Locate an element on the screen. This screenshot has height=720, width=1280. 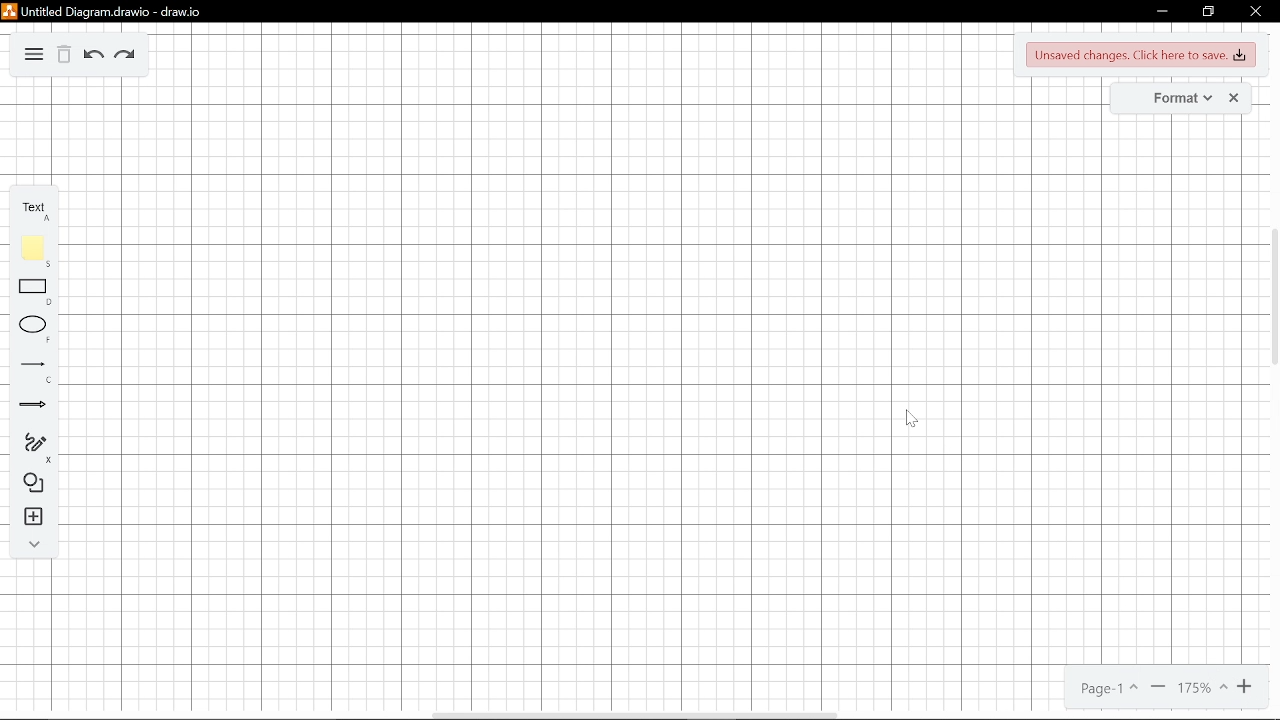
redo is located at coordinates (125, 57).